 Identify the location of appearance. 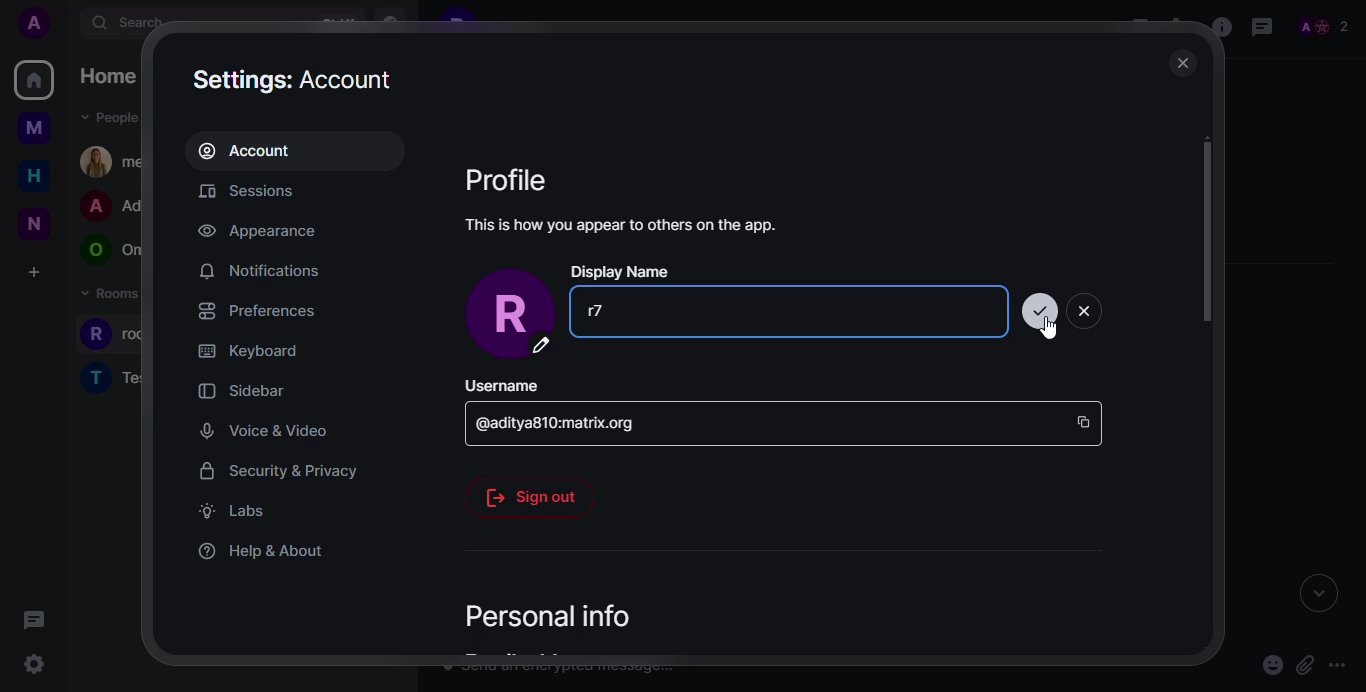
(258, 231).